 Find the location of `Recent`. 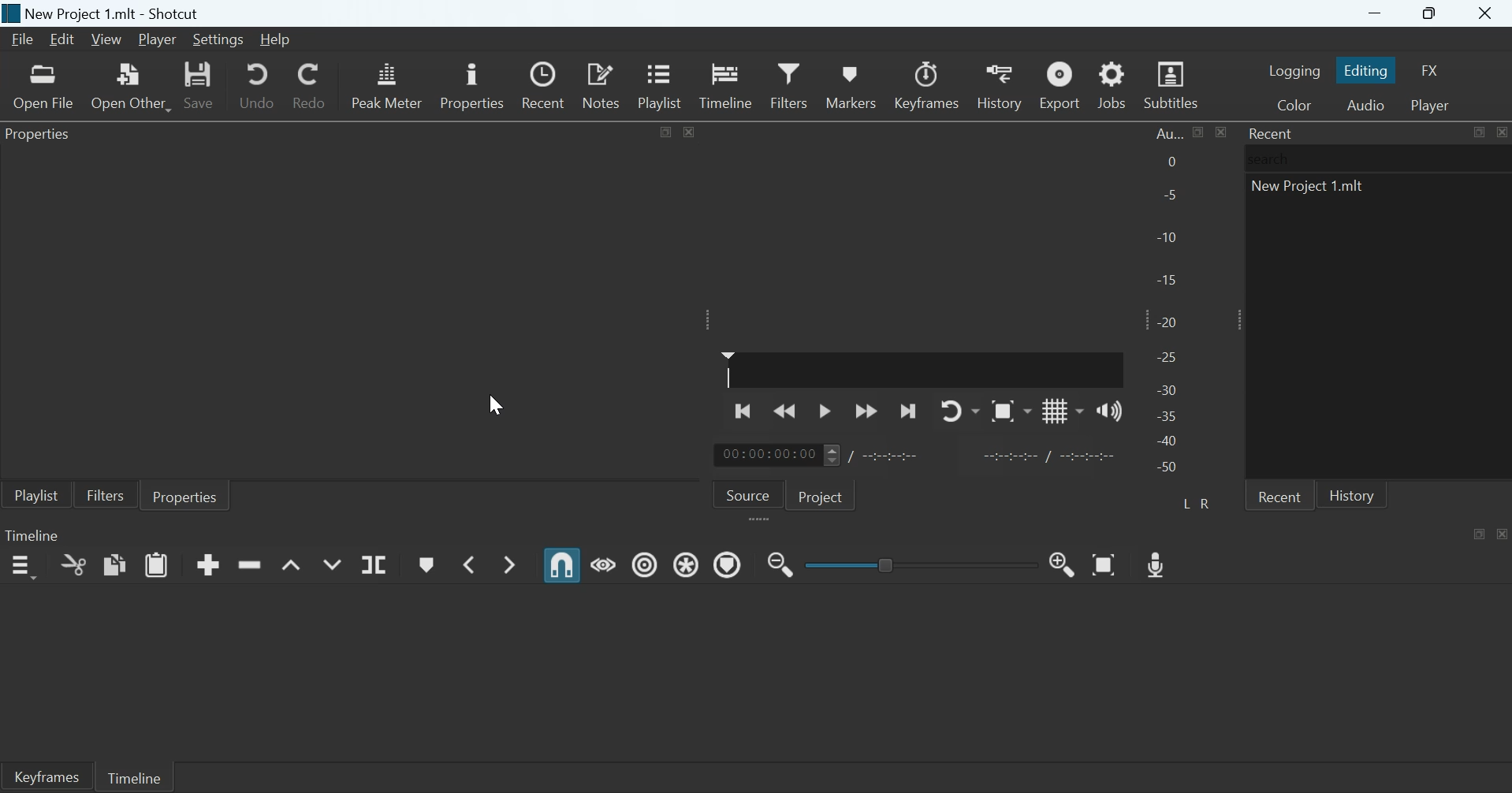

Recent is located at coordinates (546, 85).